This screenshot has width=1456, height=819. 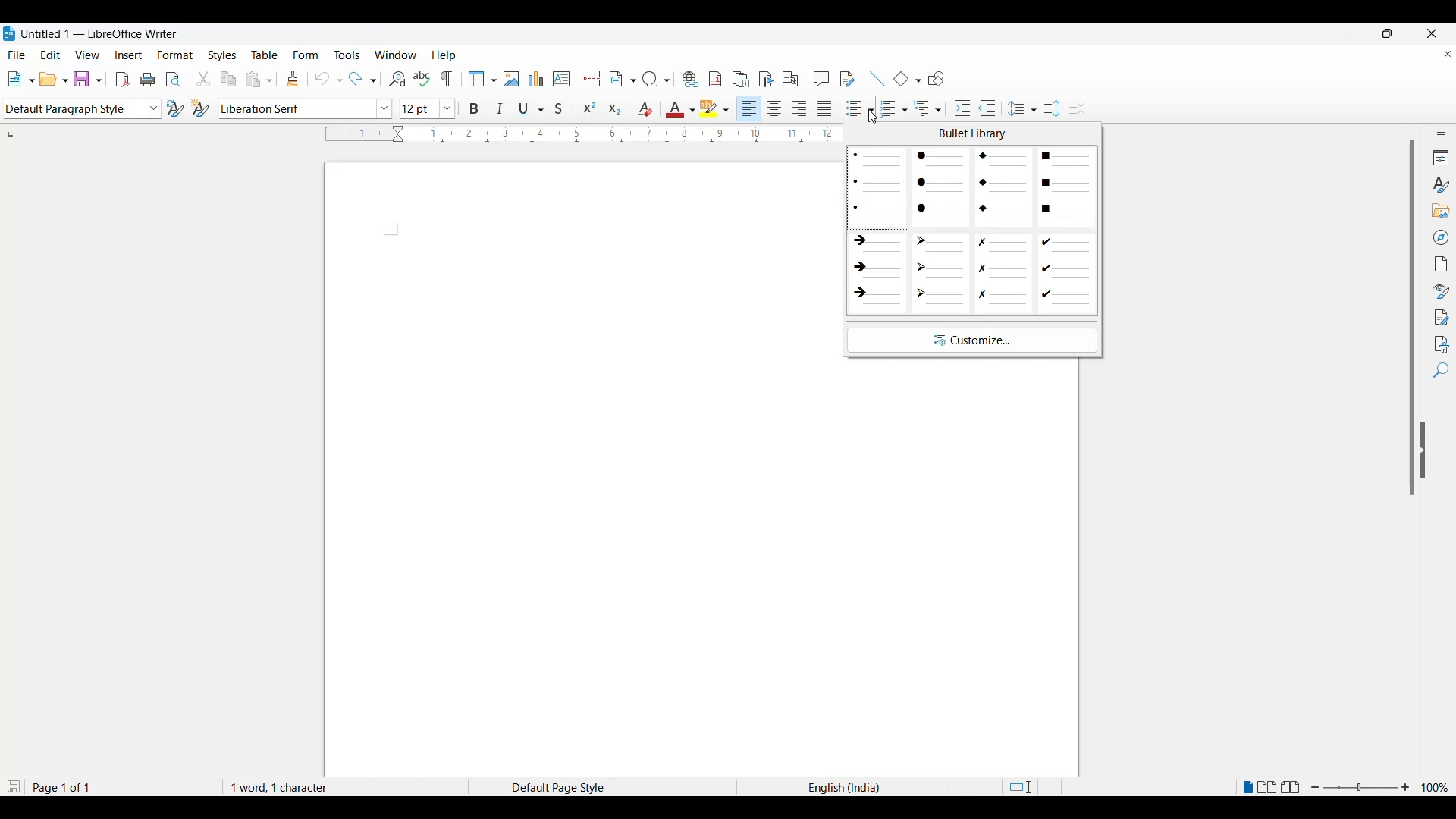 I want to click on Gallery, so click(x=1442, y=210).